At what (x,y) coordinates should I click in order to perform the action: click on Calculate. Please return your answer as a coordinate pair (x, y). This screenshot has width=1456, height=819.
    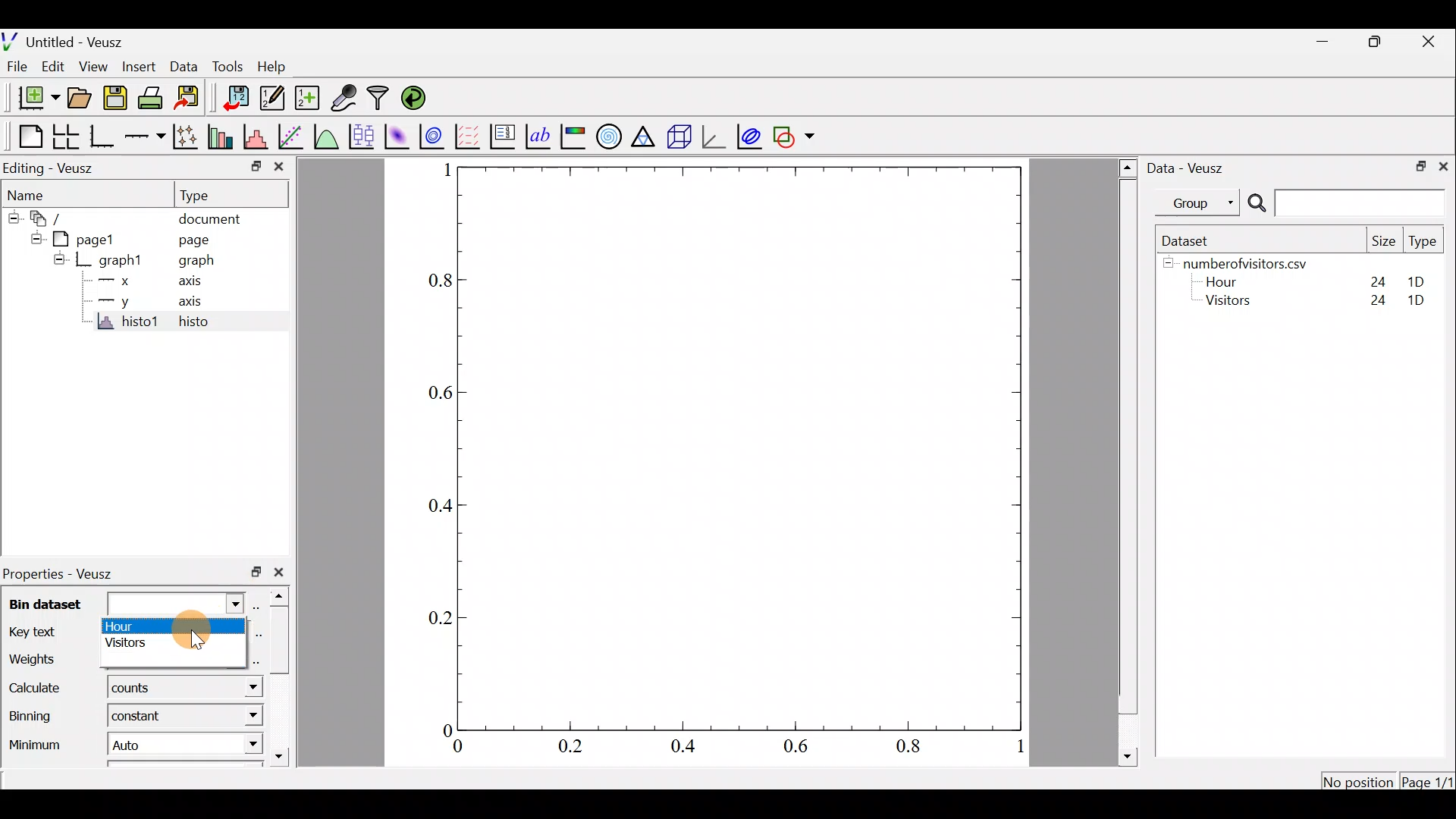
    Looking at the image, I should click on (36, 689).